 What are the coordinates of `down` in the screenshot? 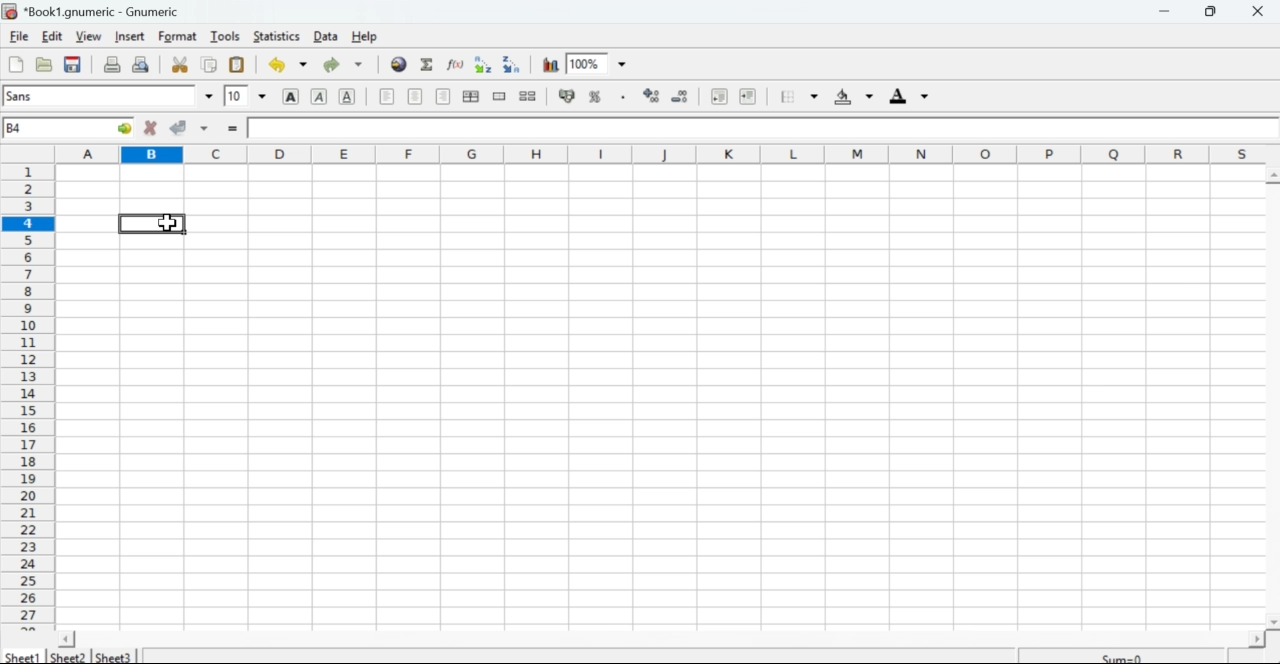 It's located at (208, 127).